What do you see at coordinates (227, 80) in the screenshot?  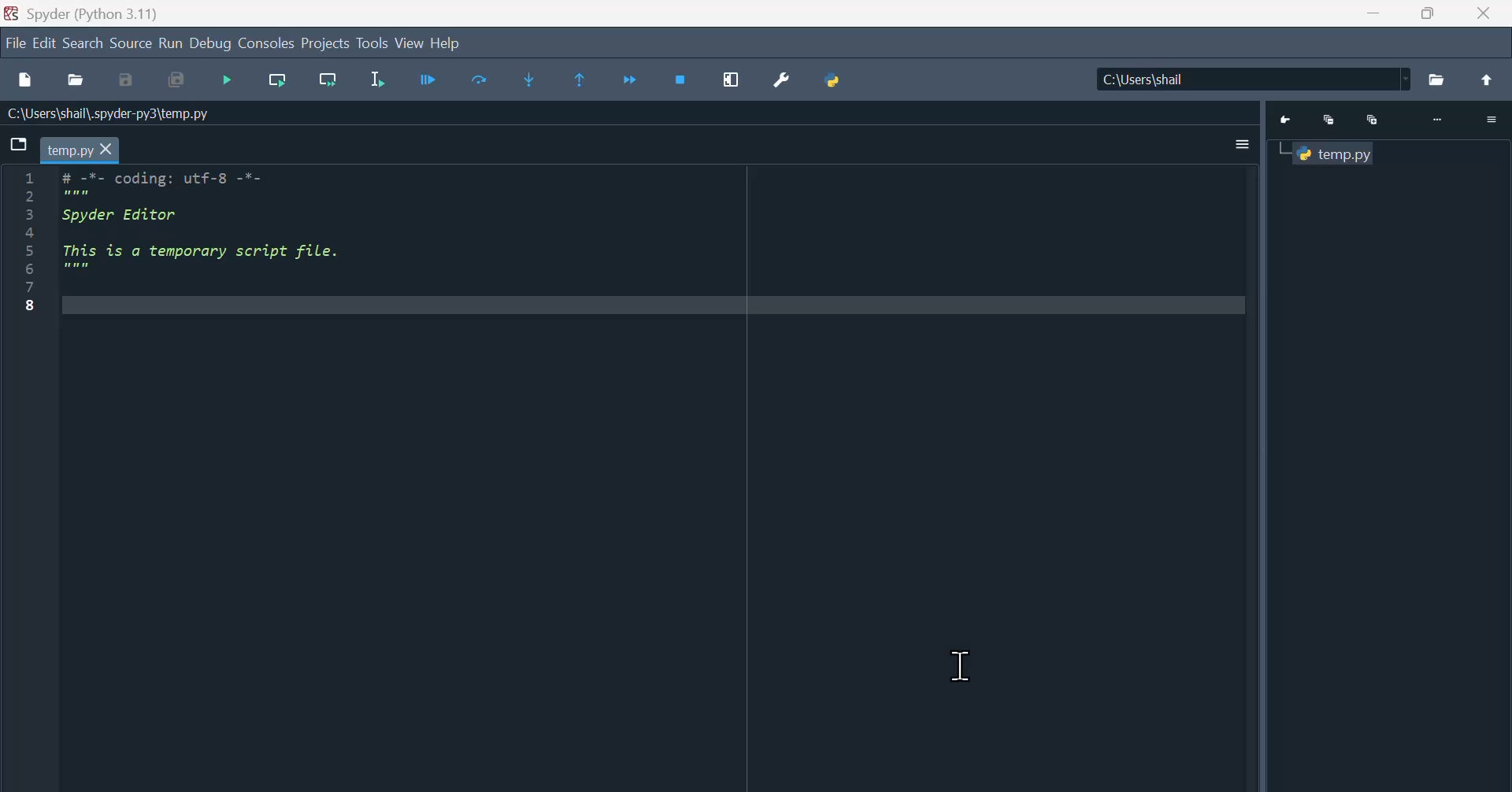 I see `Start debugging` at bounding box center [227, 80].